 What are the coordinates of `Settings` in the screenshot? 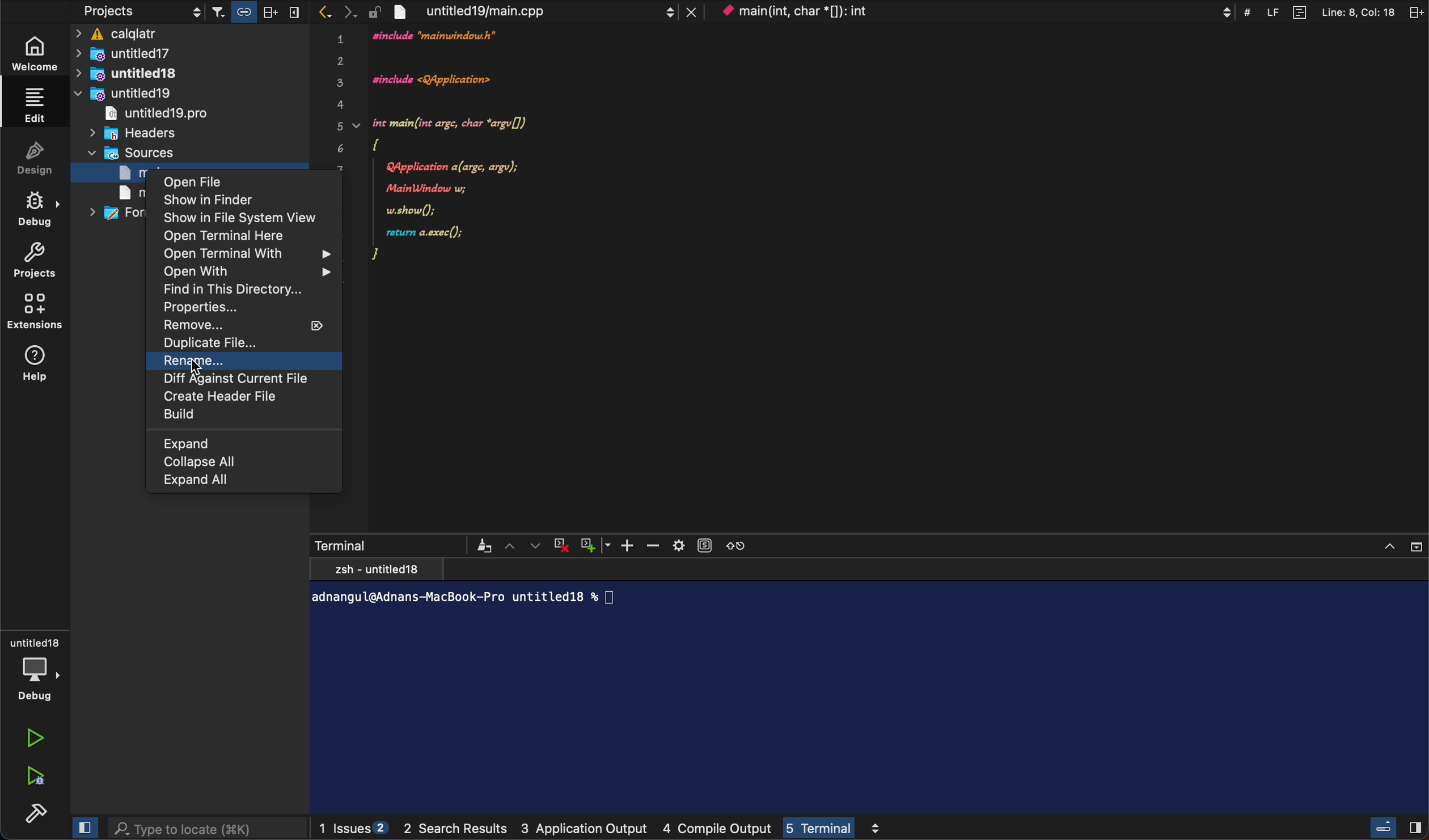 It's located at (678, 544).